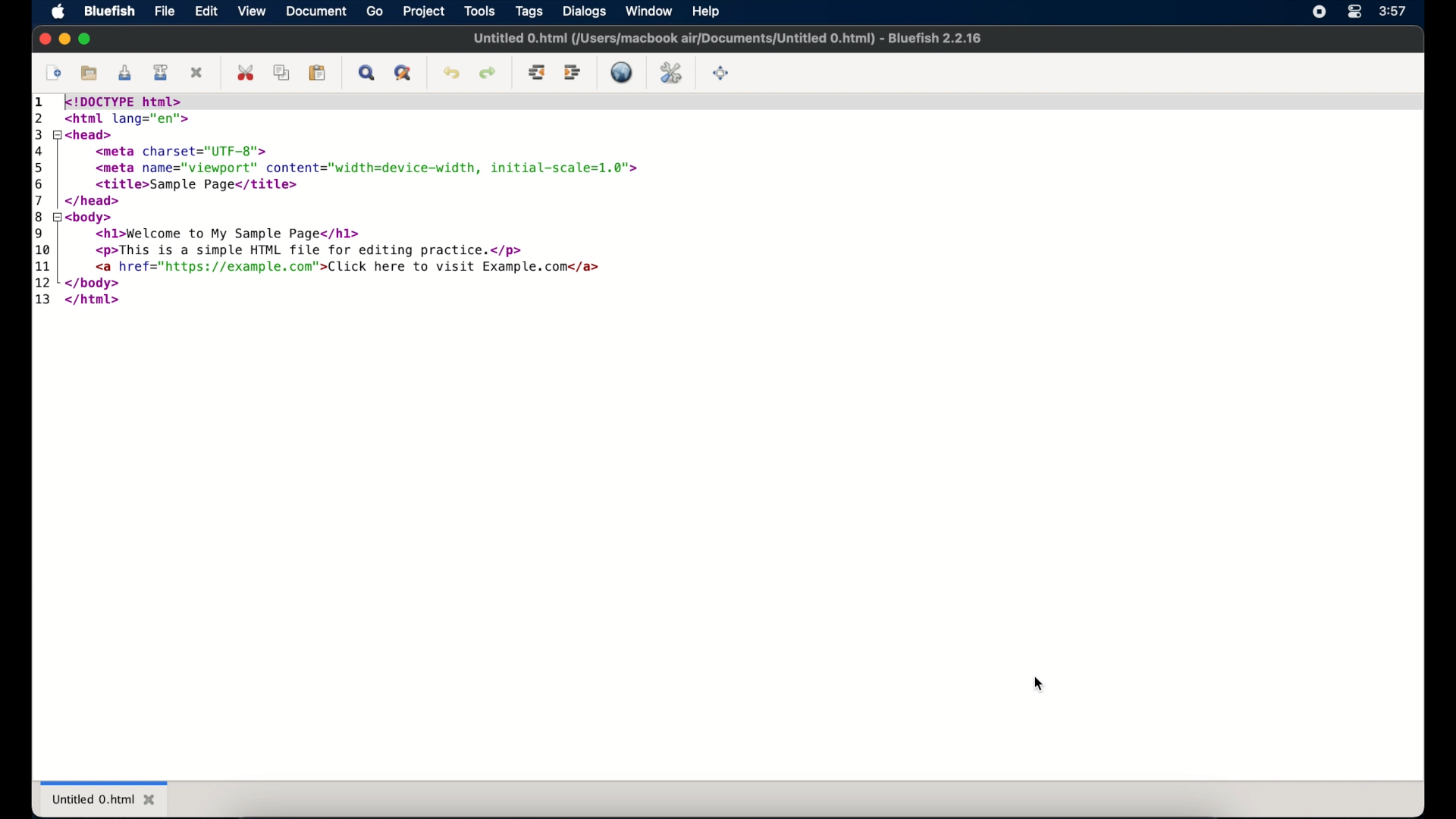  I want to click on document, so click(317, 11).